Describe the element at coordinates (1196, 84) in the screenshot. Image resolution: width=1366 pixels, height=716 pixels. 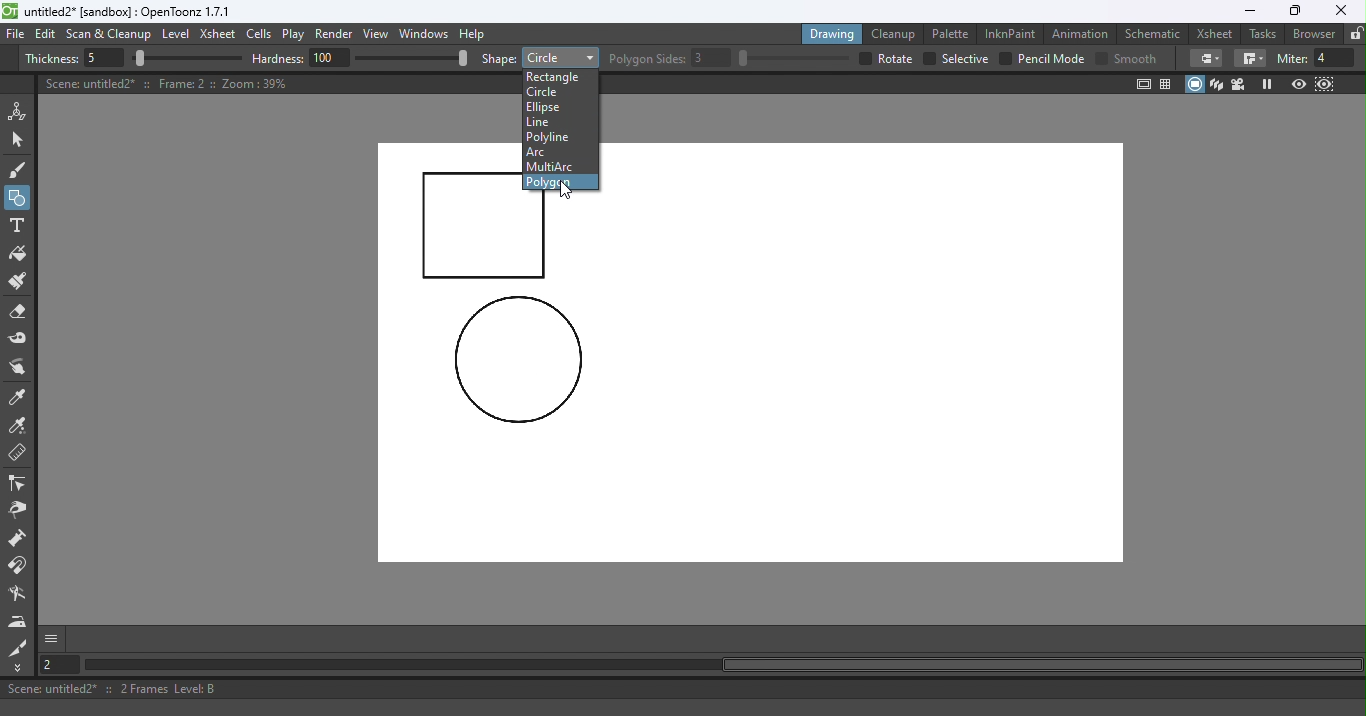
I see `Camera stand view` at that location.